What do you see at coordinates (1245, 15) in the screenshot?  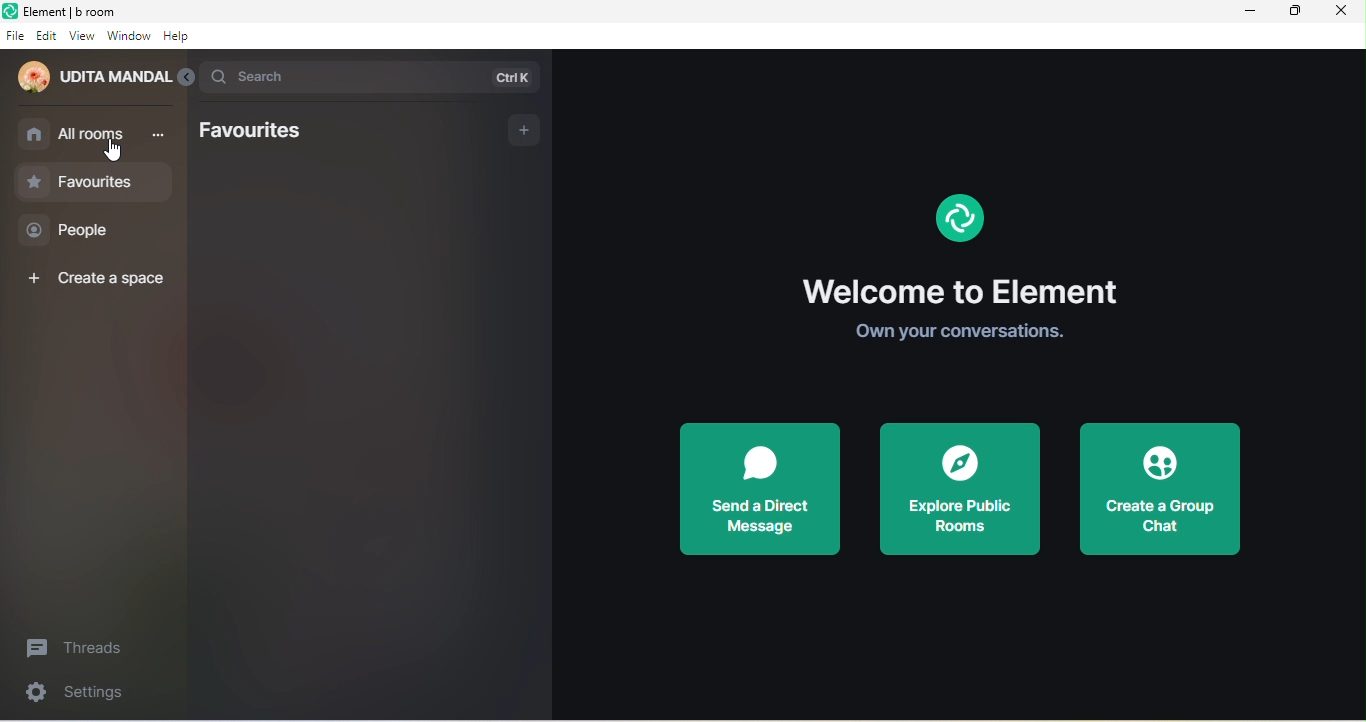 I see `minimize` at bounding box center [1245, 15].